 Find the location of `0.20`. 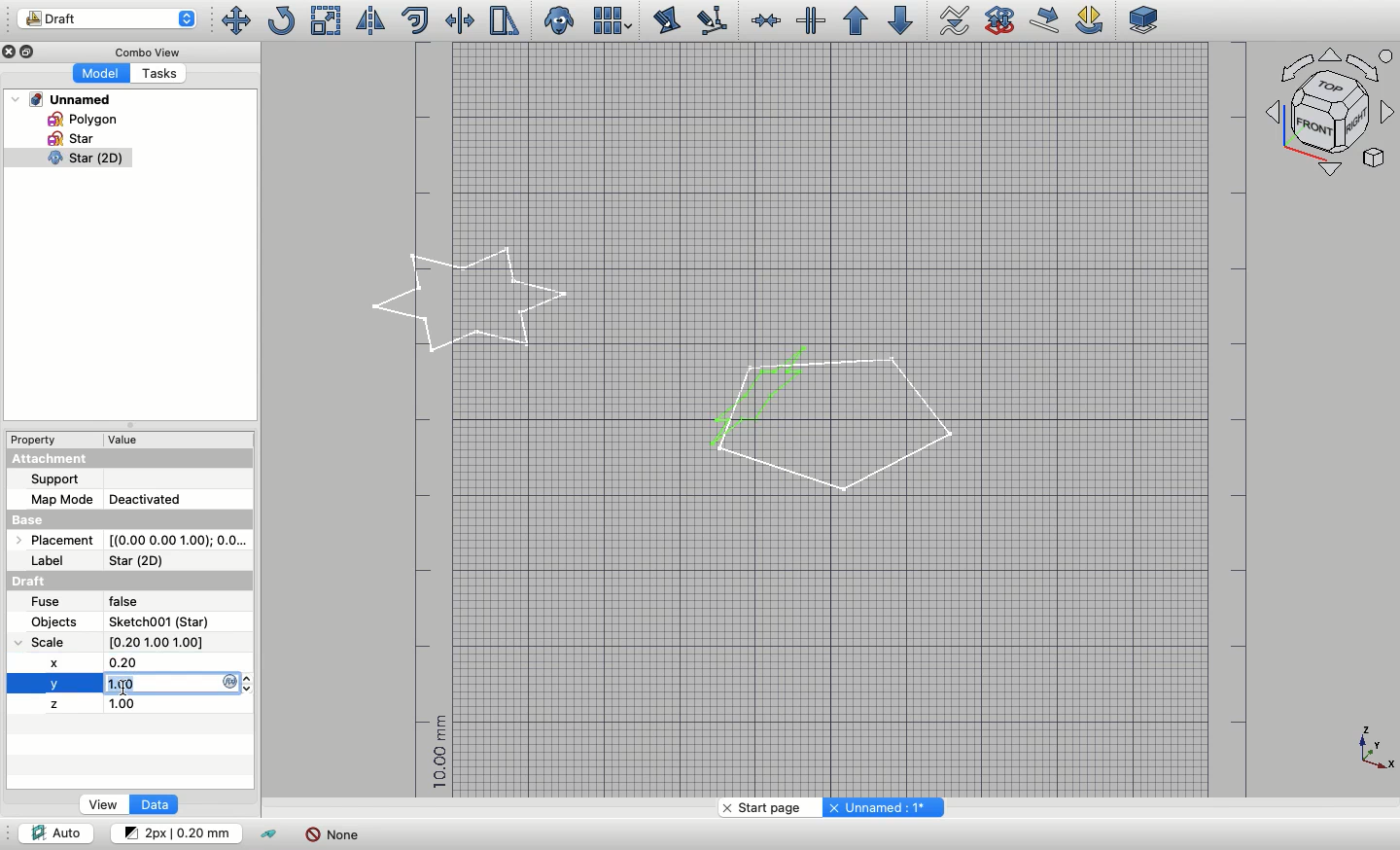

0.20 is located at coordinates (152, 660).